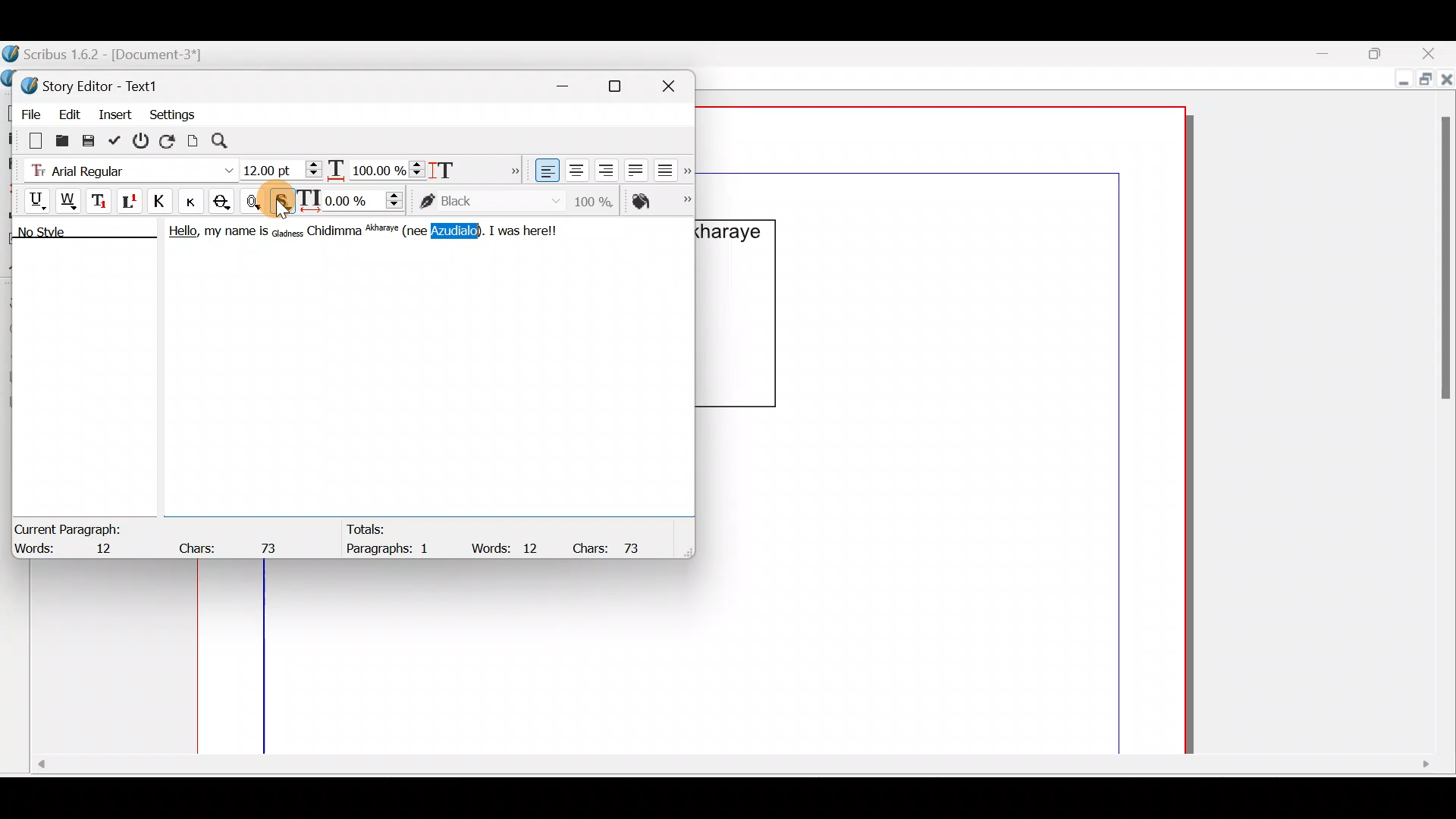 This screenshot has width=1456, height=819. Describe the element at coordinates (30, 199) in the screenshot. I see `Underline` at that location.